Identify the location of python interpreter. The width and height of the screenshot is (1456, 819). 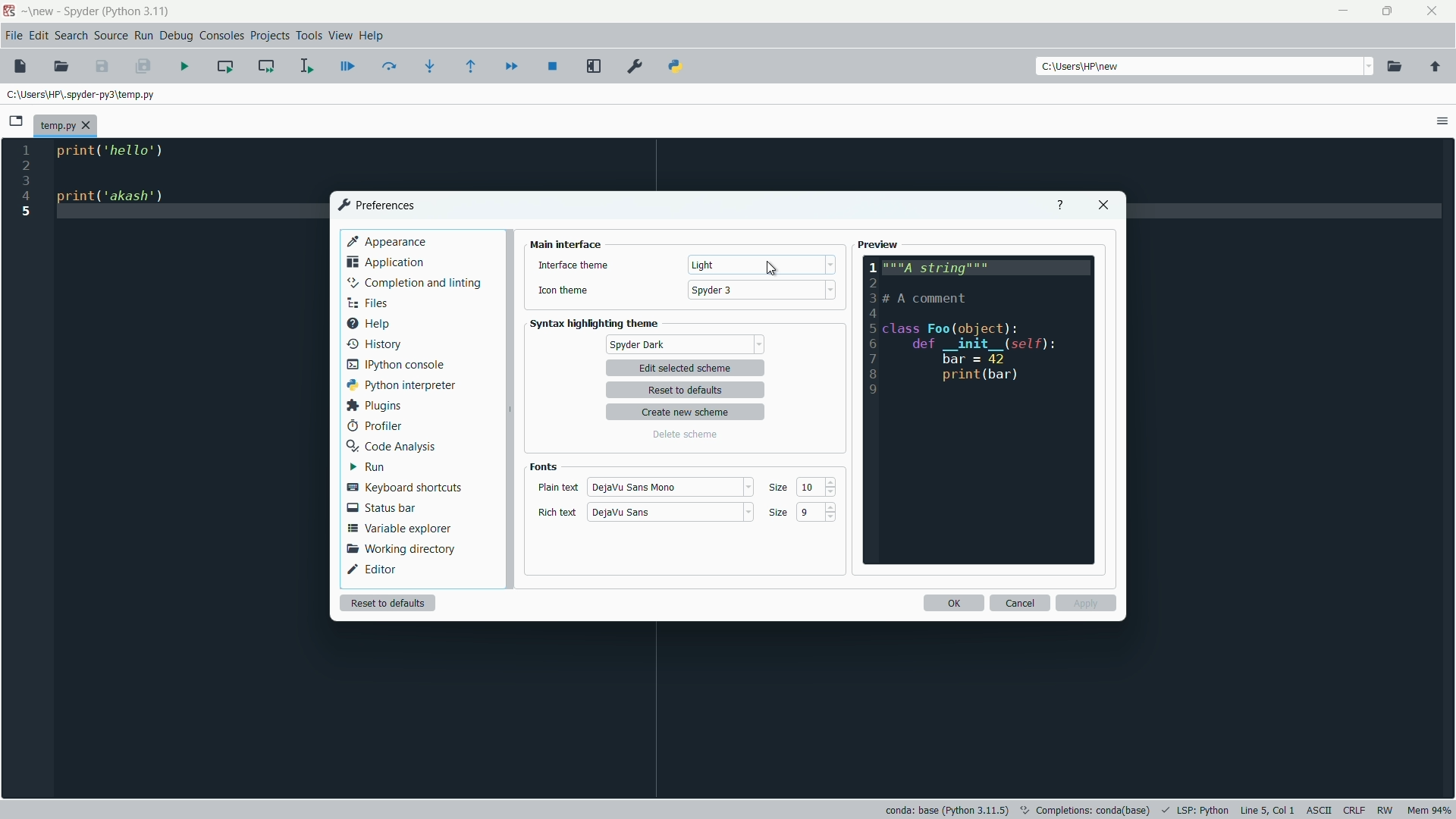
(398, 384).